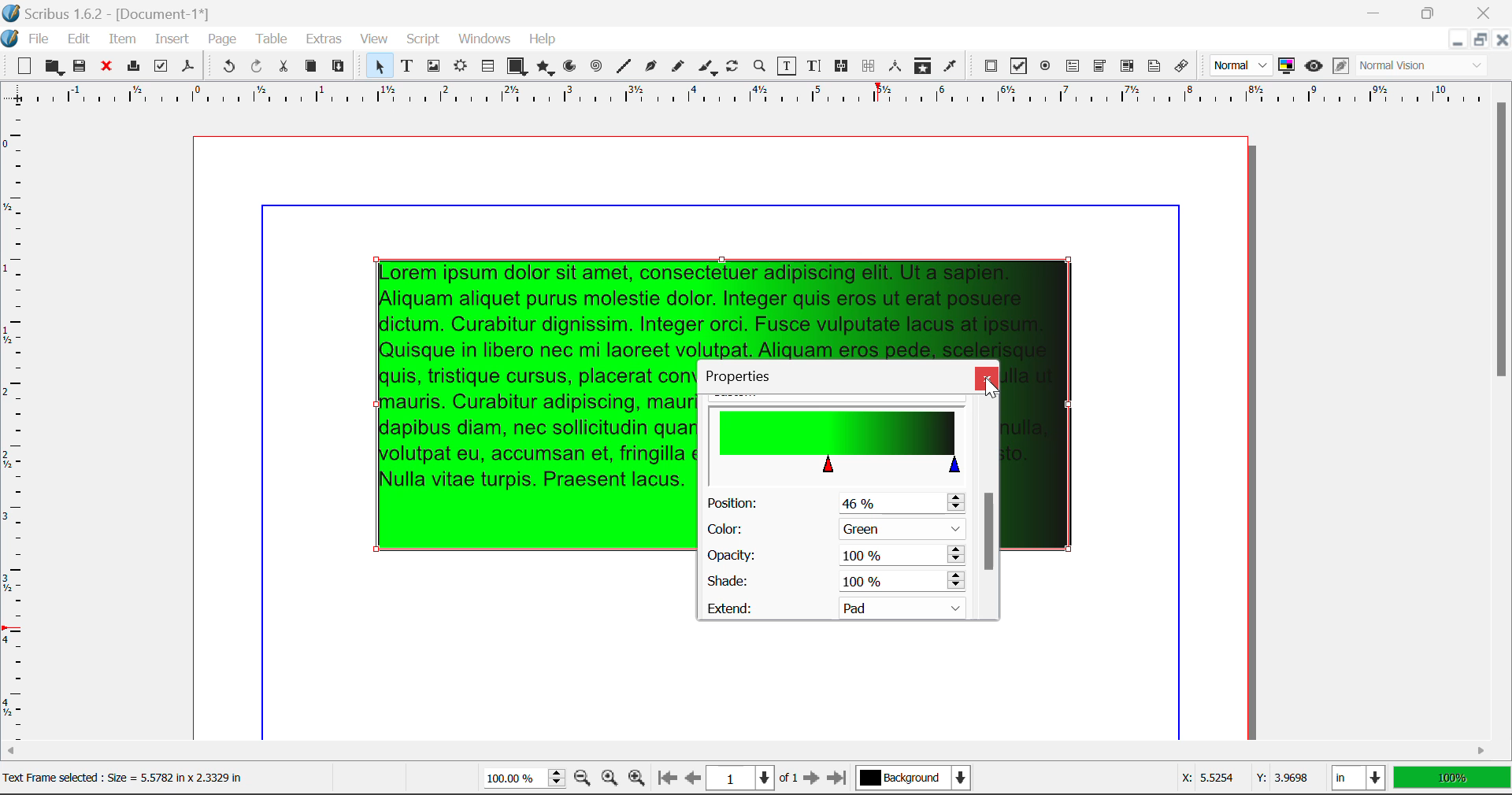 Image resolution: width=1512 pixels, height=795 pixels. Describe the element at coordinates (1185, 67) in the screenshot. I see `Link Annotation` at that location.